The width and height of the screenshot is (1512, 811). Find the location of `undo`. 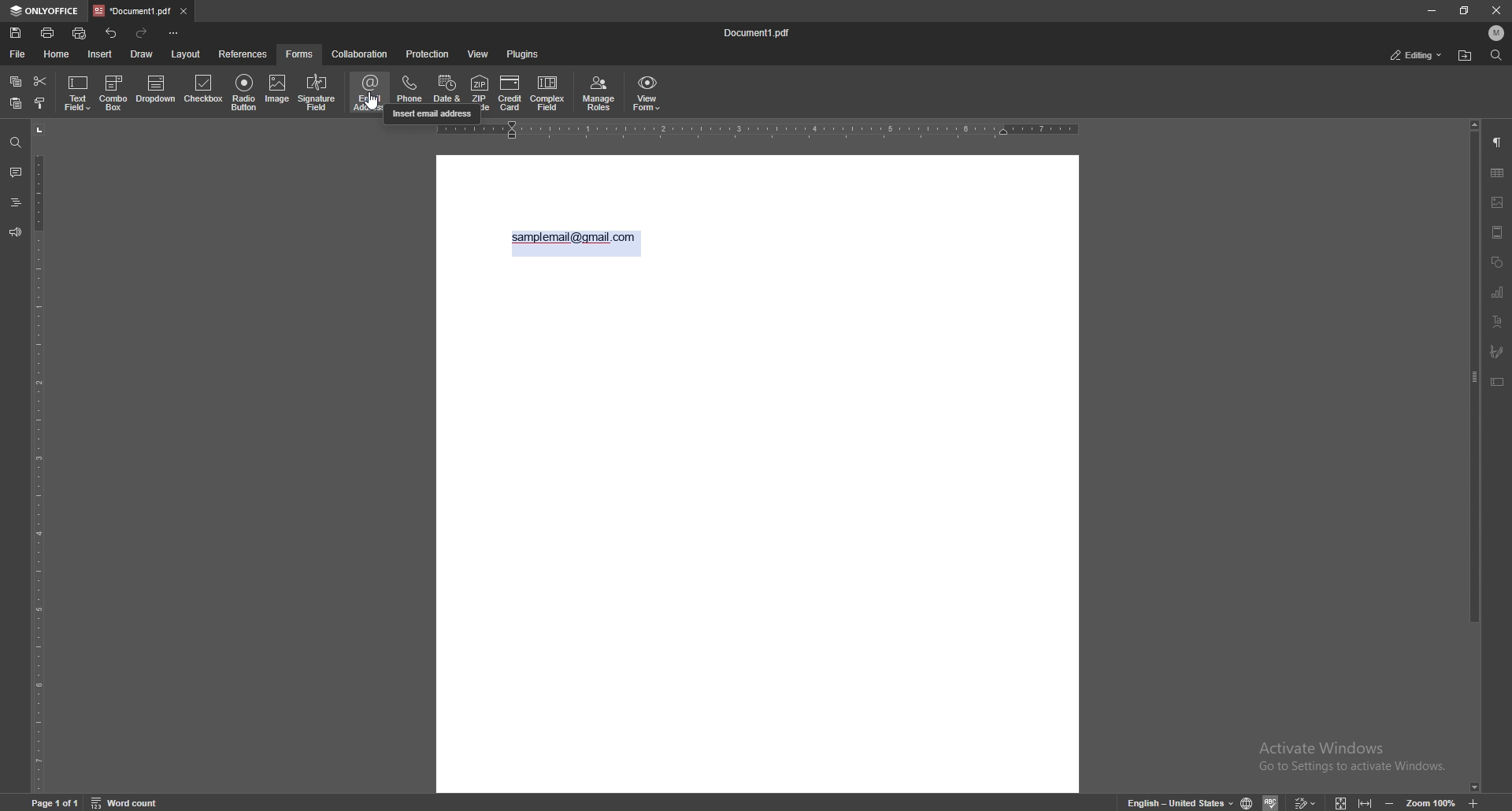

undo is located at coordinates (112, 34).